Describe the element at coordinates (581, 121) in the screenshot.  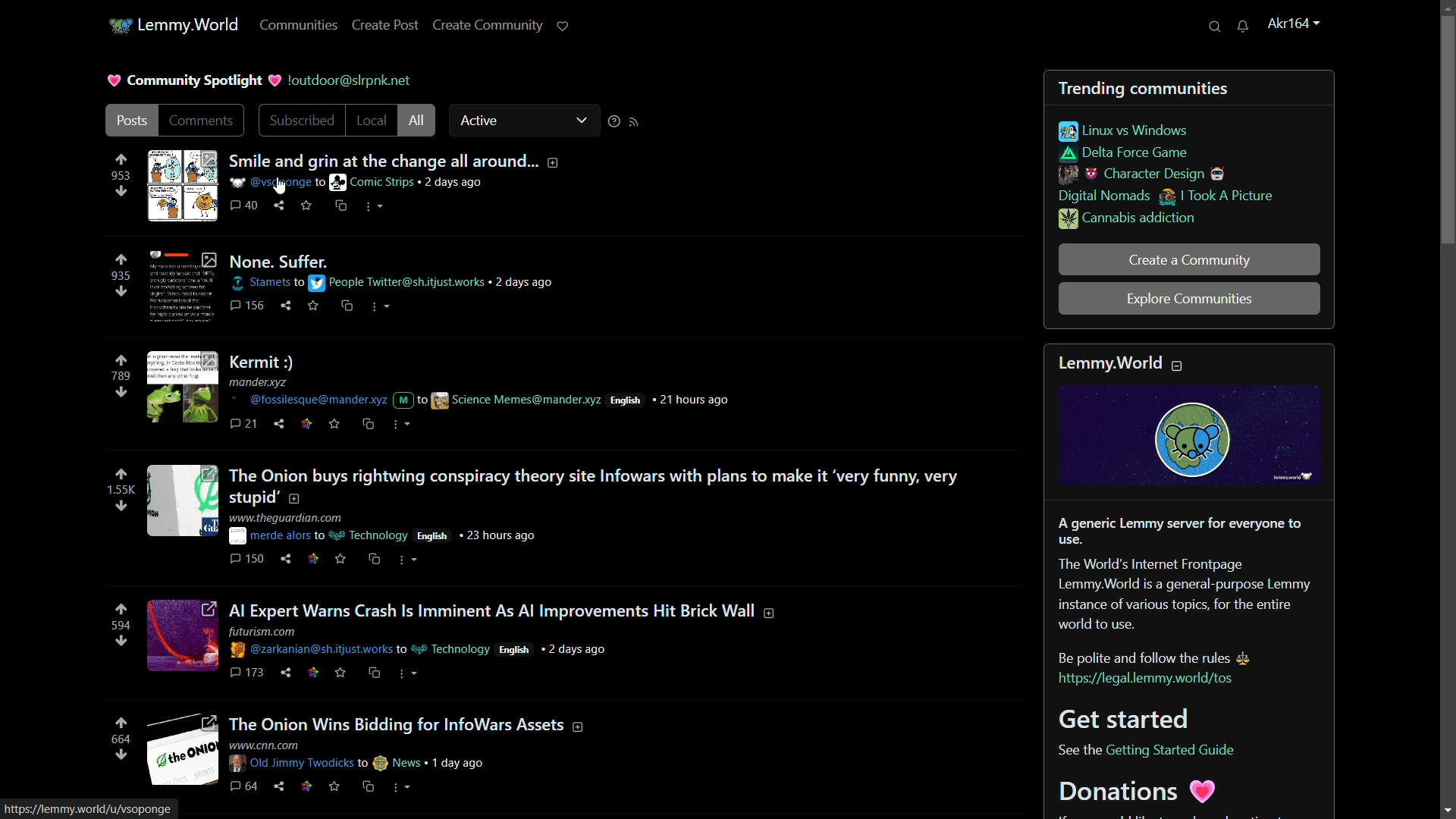
I see `dropdown` at that location.